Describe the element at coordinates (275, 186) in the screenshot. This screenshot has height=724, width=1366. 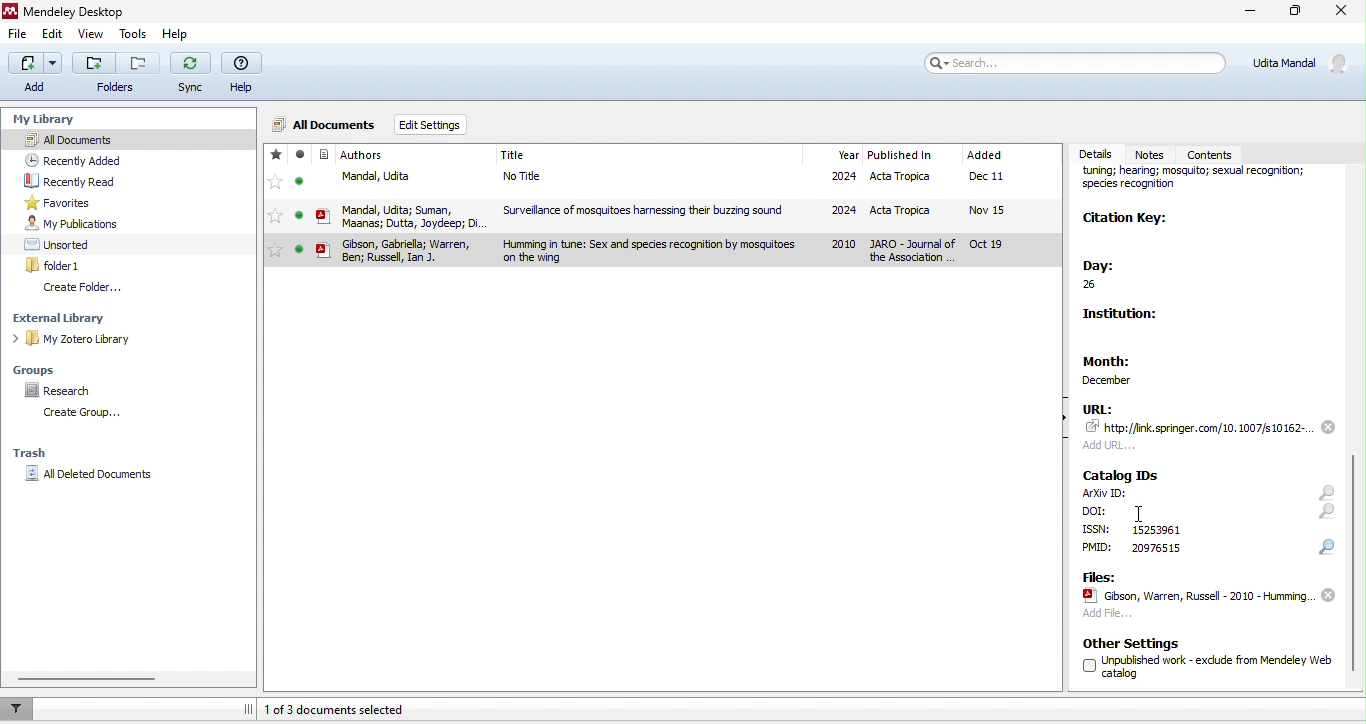
I see `favourites` at that location.